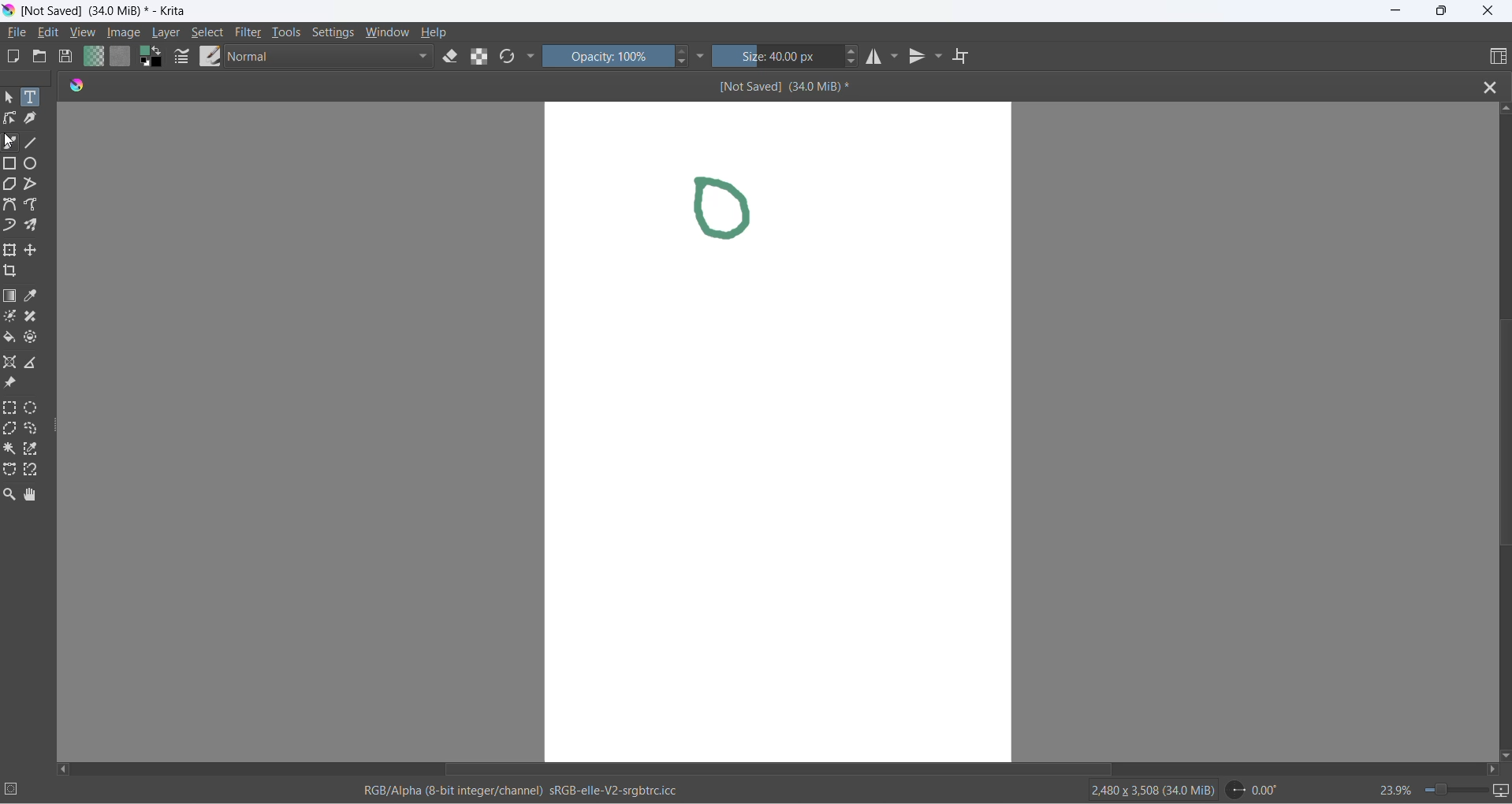  Describe the element at coordinates (93, 57) in the screenshot. I see `fill gradients` at that location.